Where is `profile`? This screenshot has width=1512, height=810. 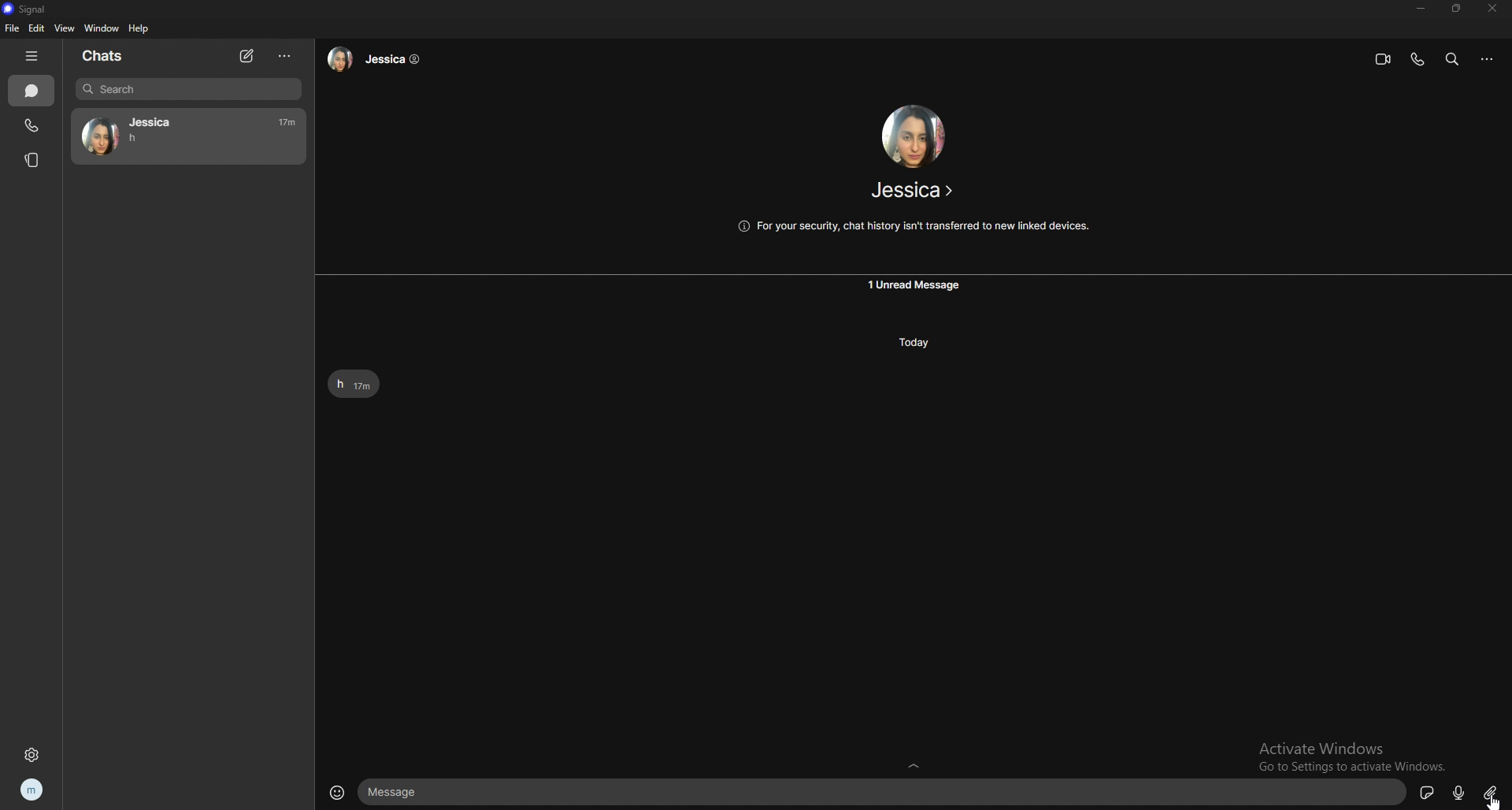
profile is located at coordinates (33, 790).